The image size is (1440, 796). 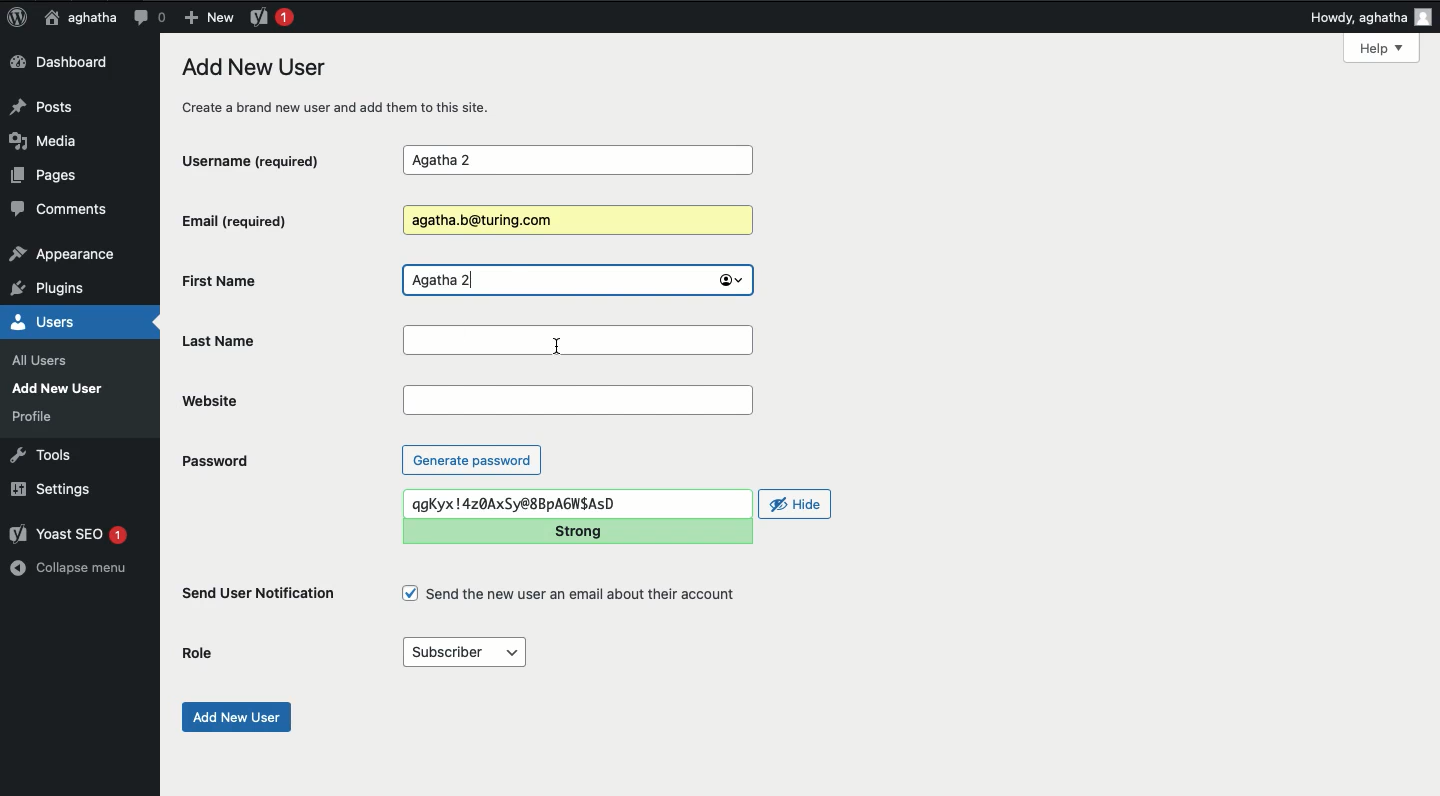 What do you see at coordinates (270, 16) in the screenshot?
I see `Yoast` at bounding box center [270, 16].